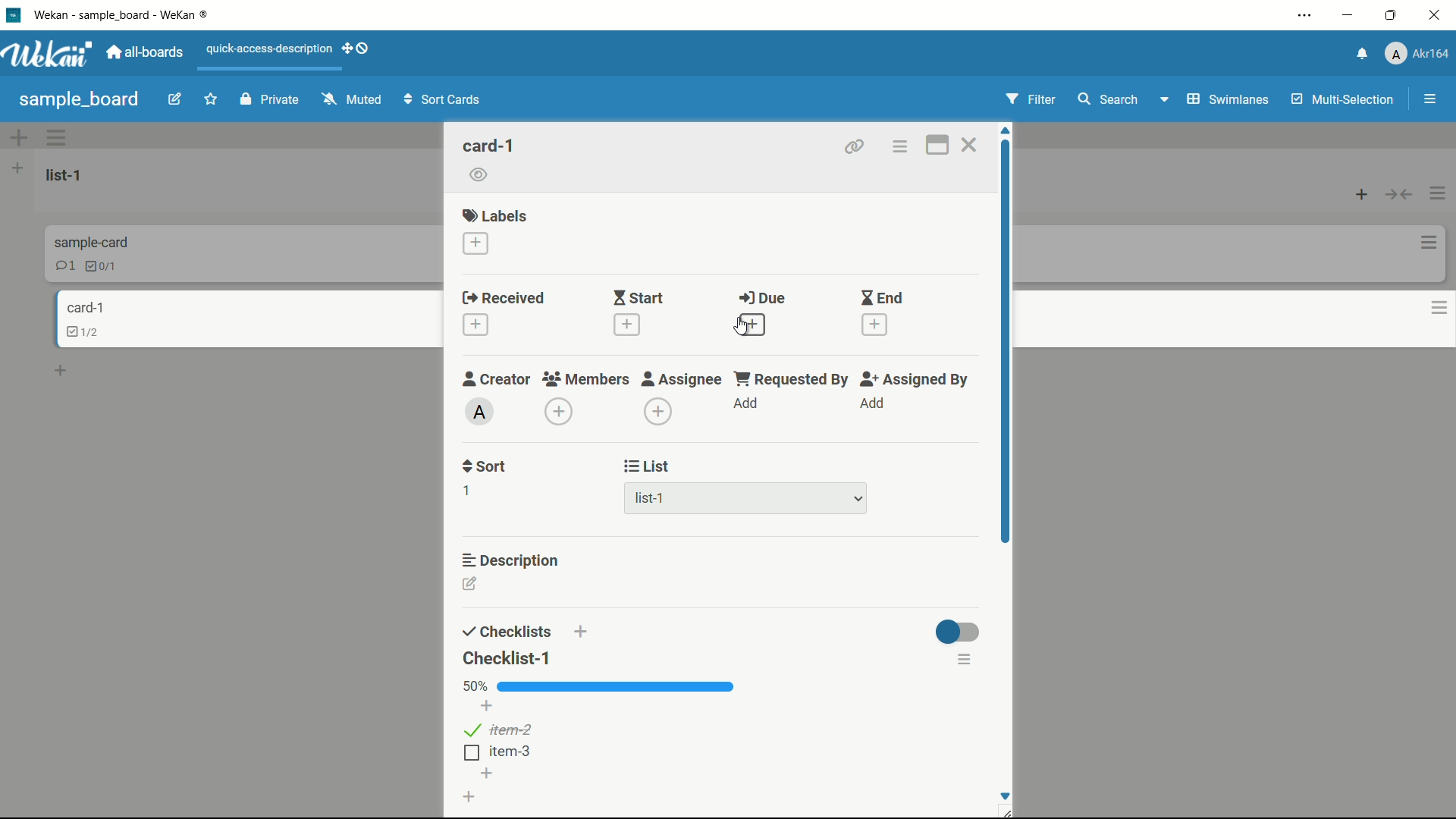 The width and height of the screenshot is (1456, 819). I want to click on sample-card, so click(101, 240).